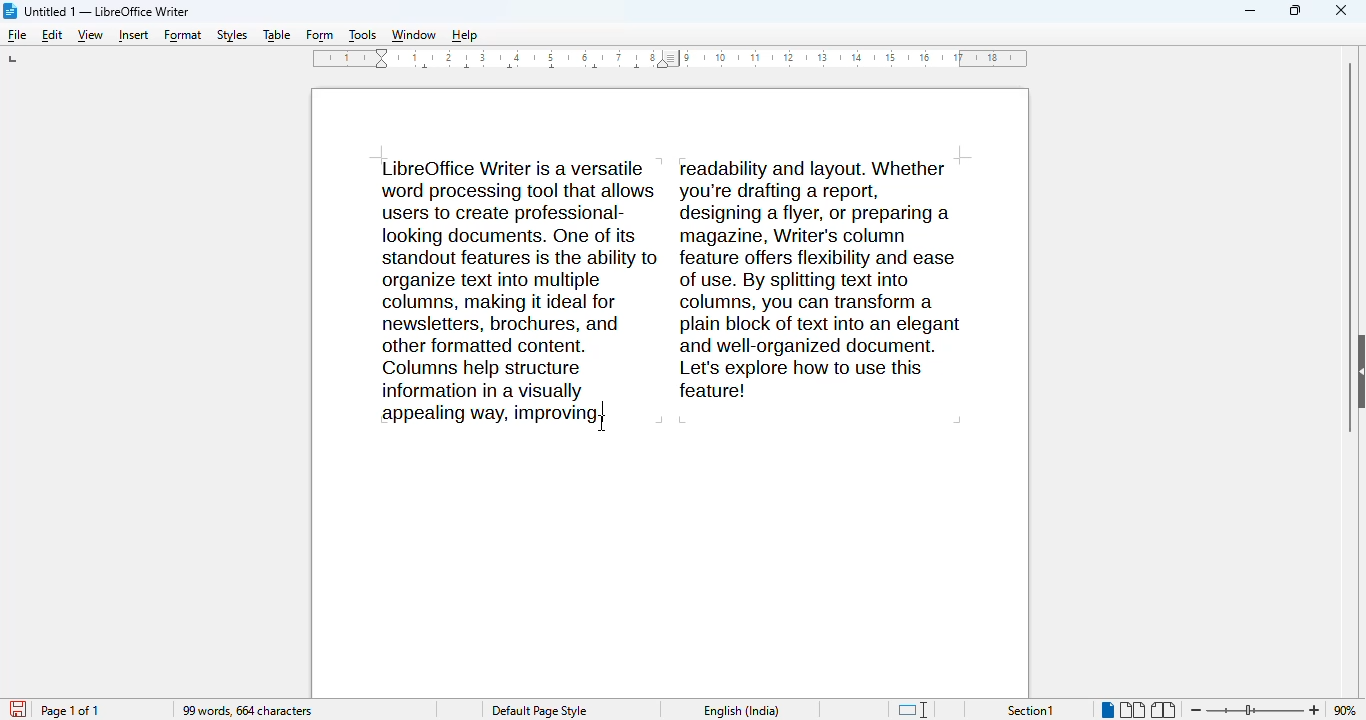 This screenshot has height=720, width=1366. I want to click on standard selection, so click(912, 710).